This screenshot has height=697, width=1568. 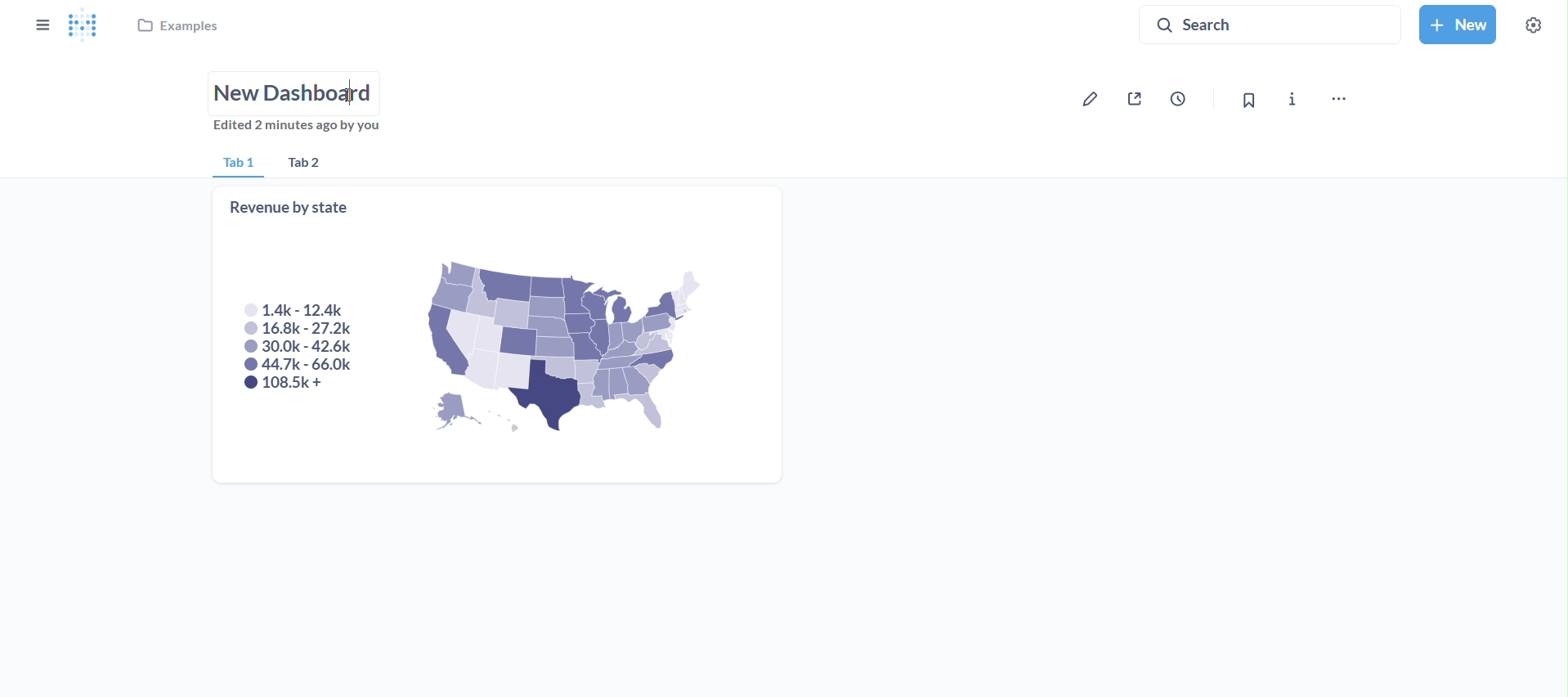 I want to click on revenue by state, so click(x=498, y=335).